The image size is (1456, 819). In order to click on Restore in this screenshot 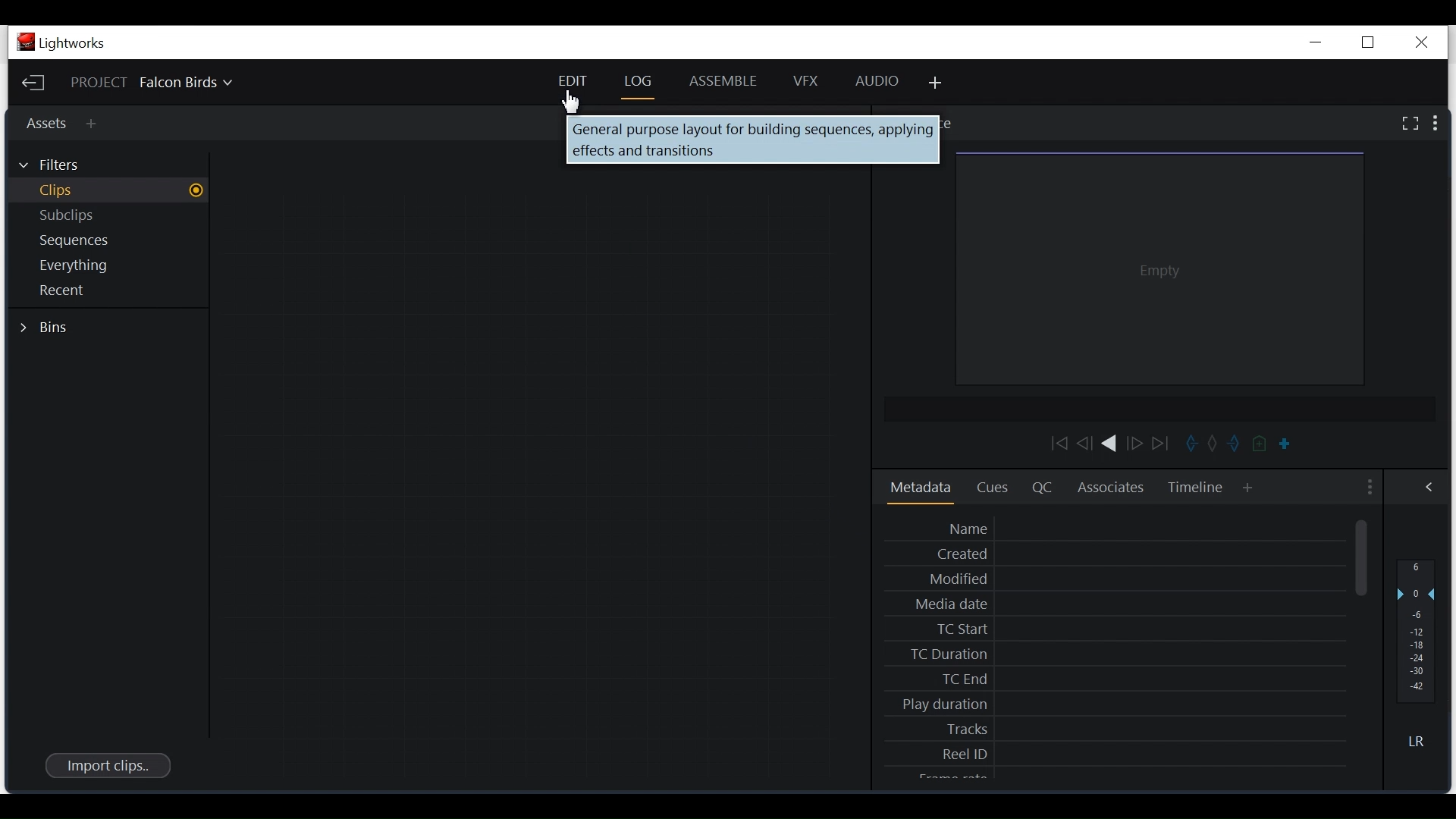, I will do `click(1367, 42)`.